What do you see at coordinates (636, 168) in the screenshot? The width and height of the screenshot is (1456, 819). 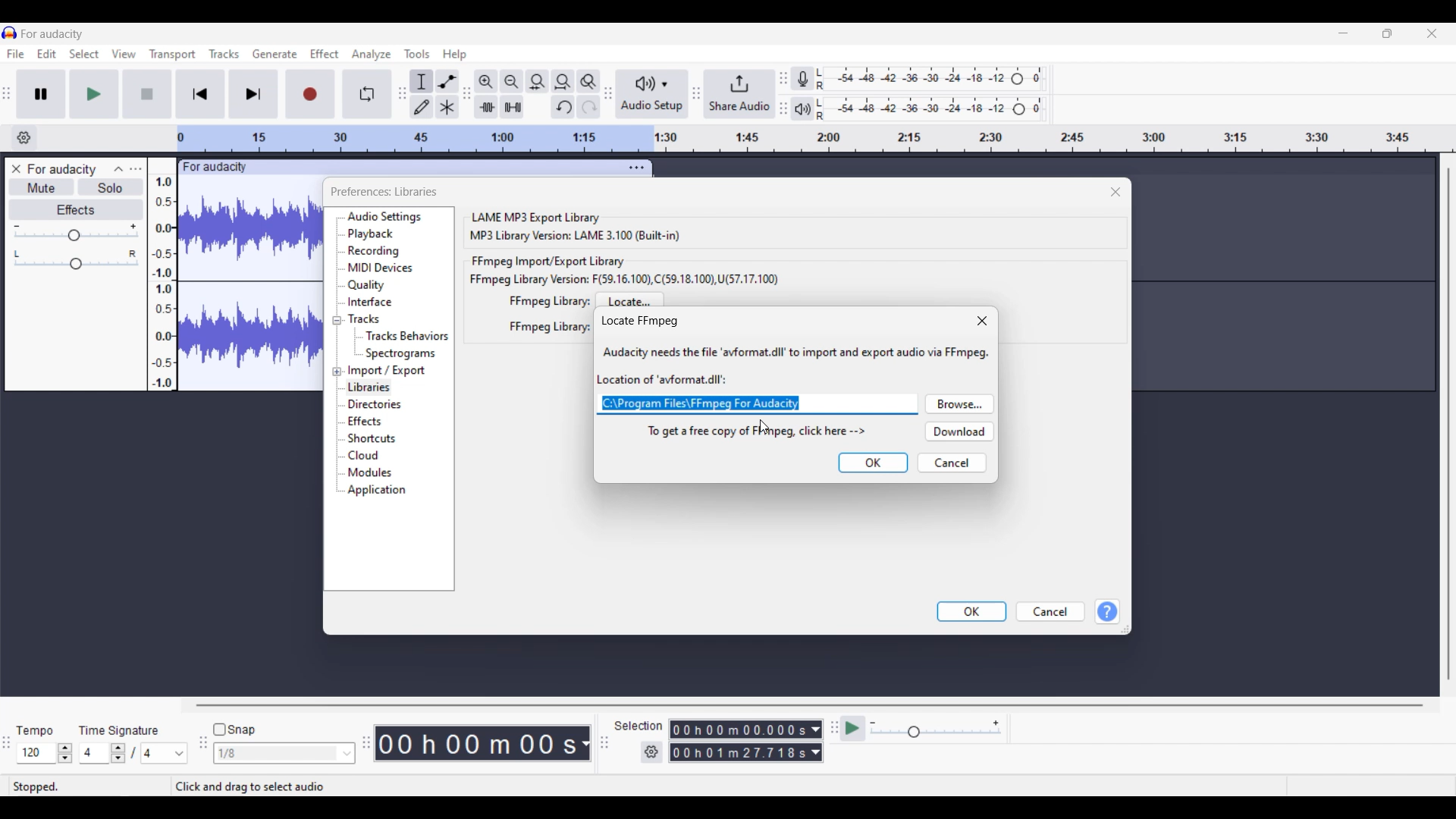 I see `Track settings` at bounding box center [636, 168].